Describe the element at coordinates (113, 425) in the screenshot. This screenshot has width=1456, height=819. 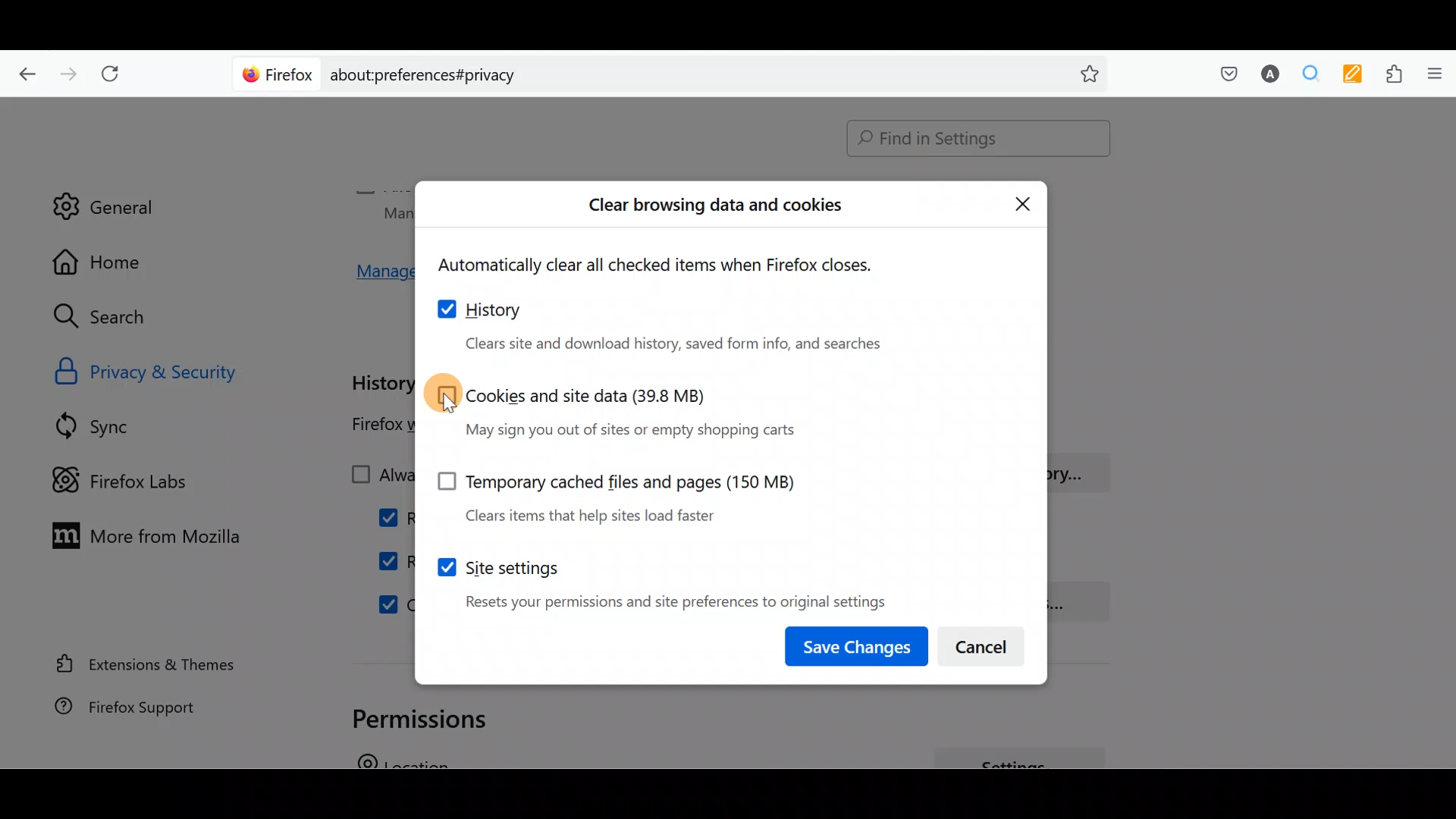
I see `Sync` at that location.